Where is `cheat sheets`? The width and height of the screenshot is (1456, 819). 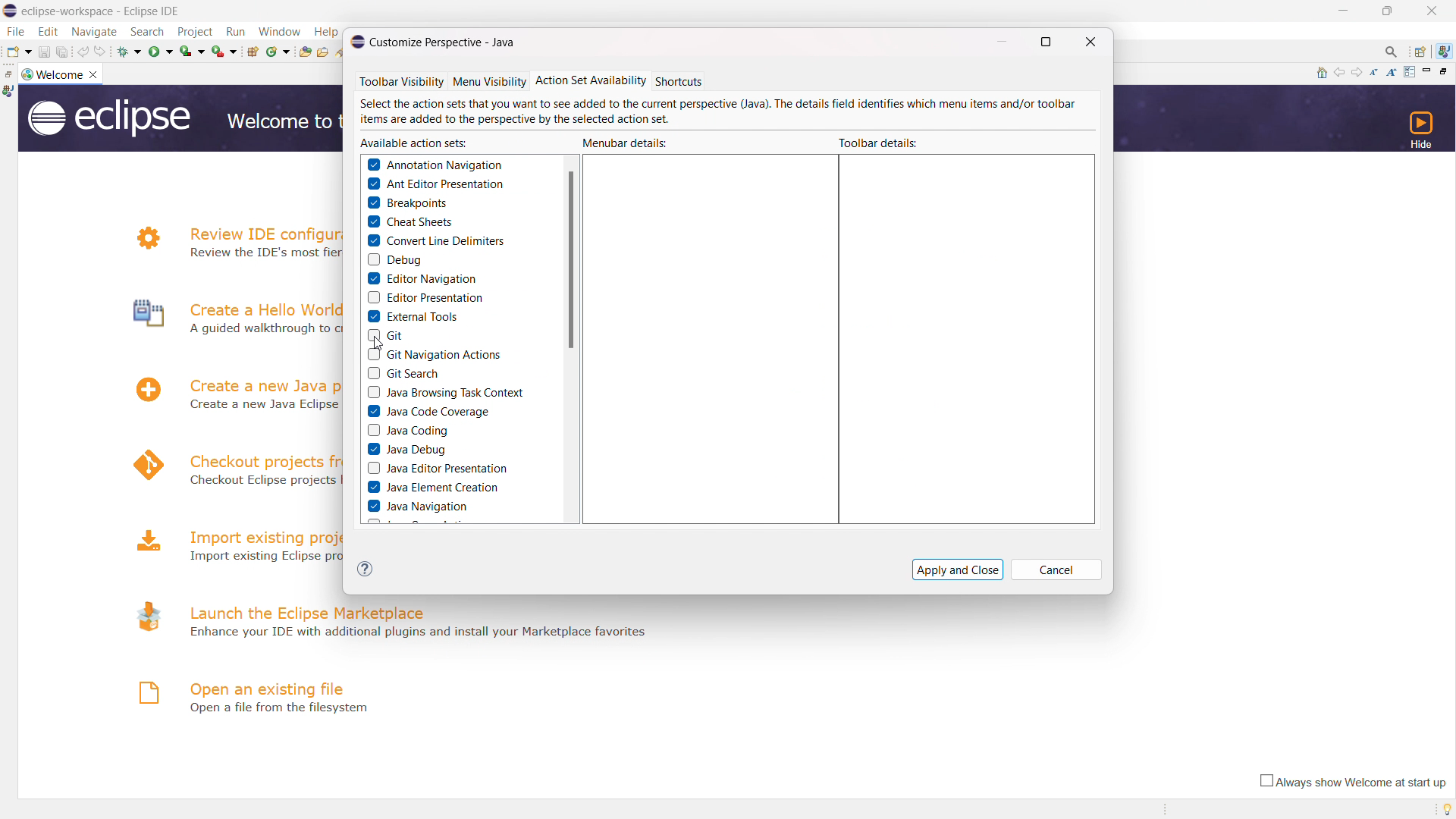
cheat sheets is located at coordinates (407, 222).